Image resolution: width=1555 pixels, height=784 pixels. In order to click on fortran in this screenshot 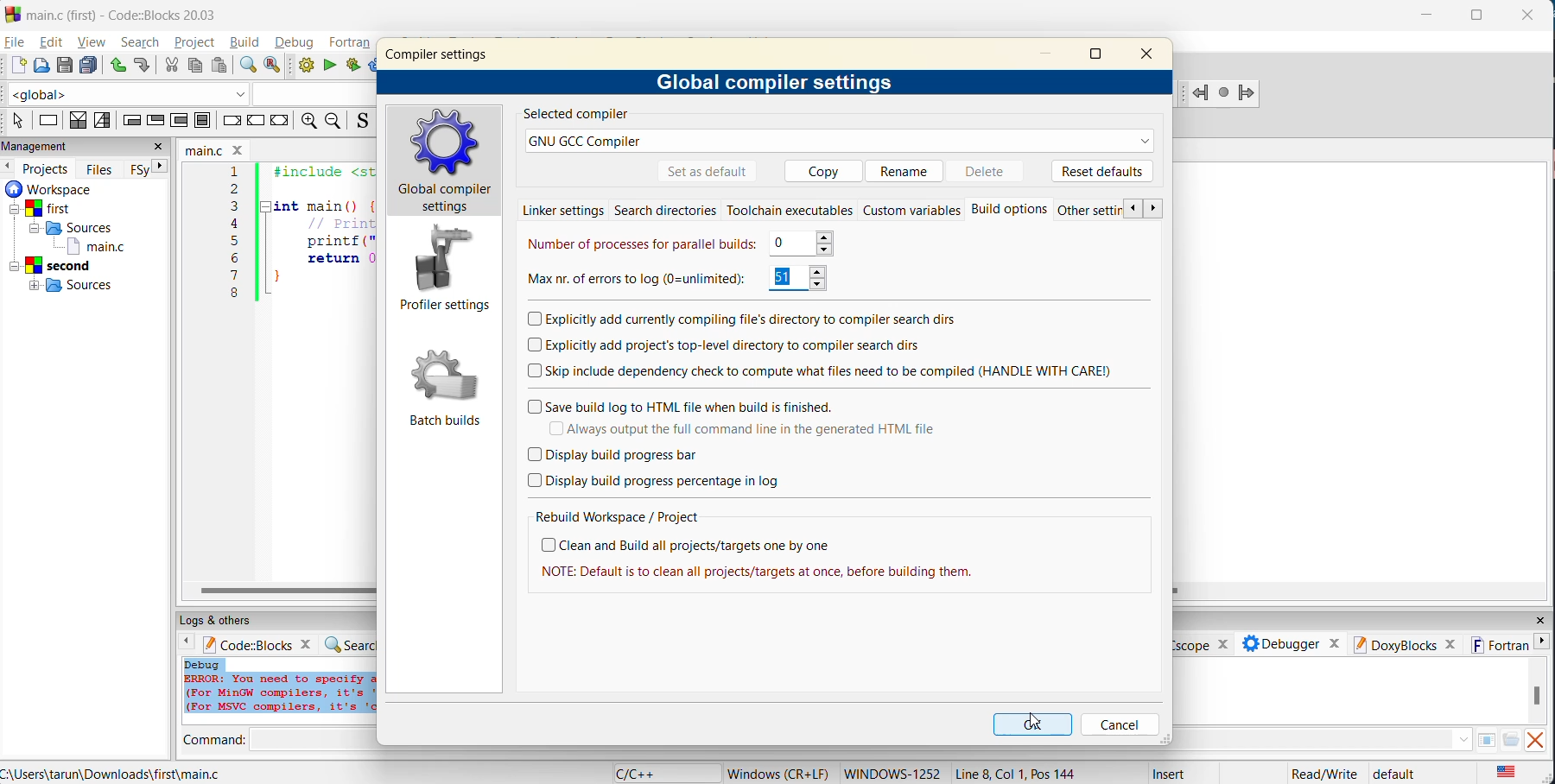, I will do `click(352, 42)`.